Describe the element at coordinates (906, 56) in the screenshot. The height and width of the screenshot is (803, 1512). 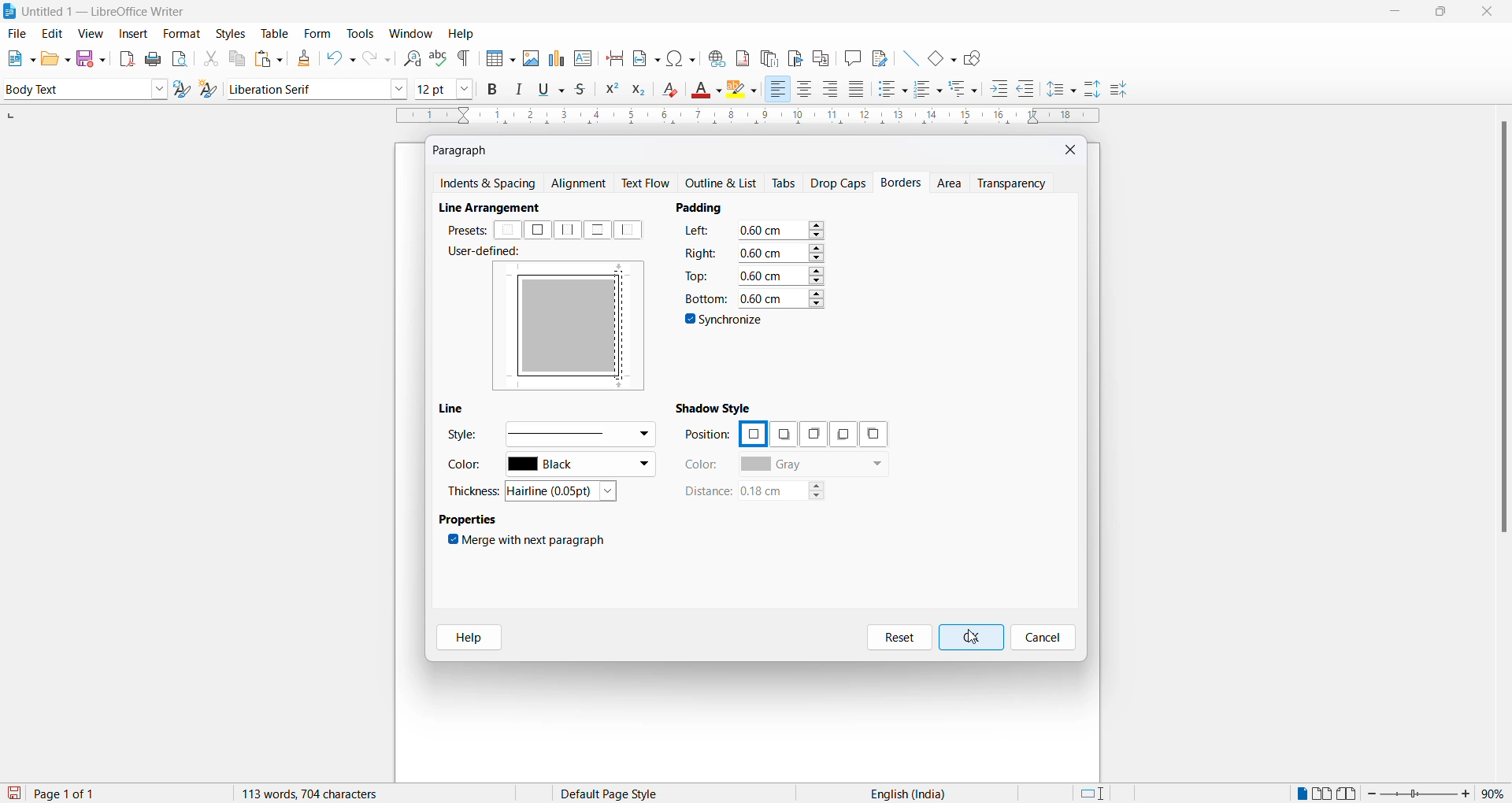
I see `line` at that location.